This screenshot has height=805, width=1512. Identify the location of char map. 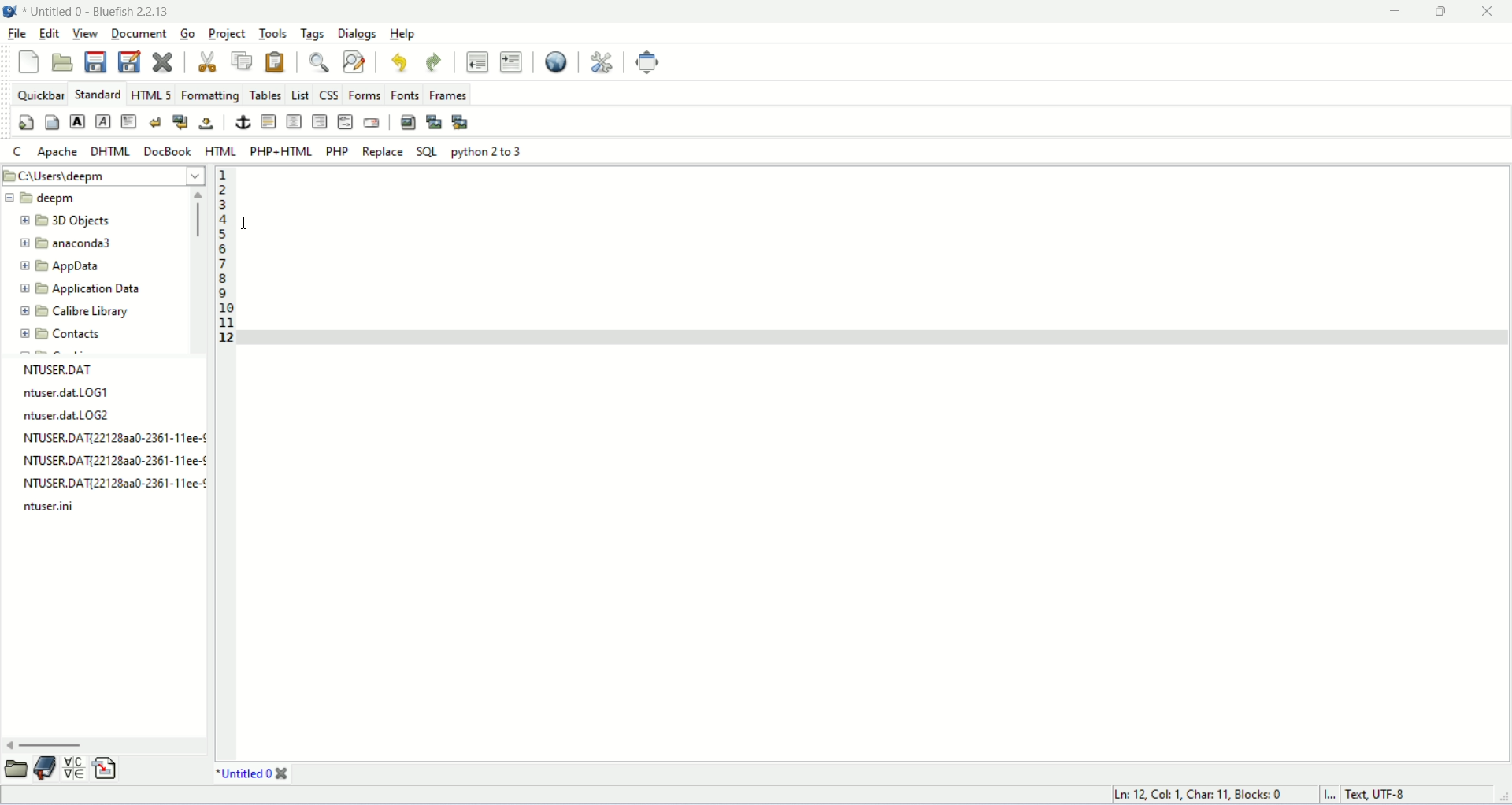
(76, 770).